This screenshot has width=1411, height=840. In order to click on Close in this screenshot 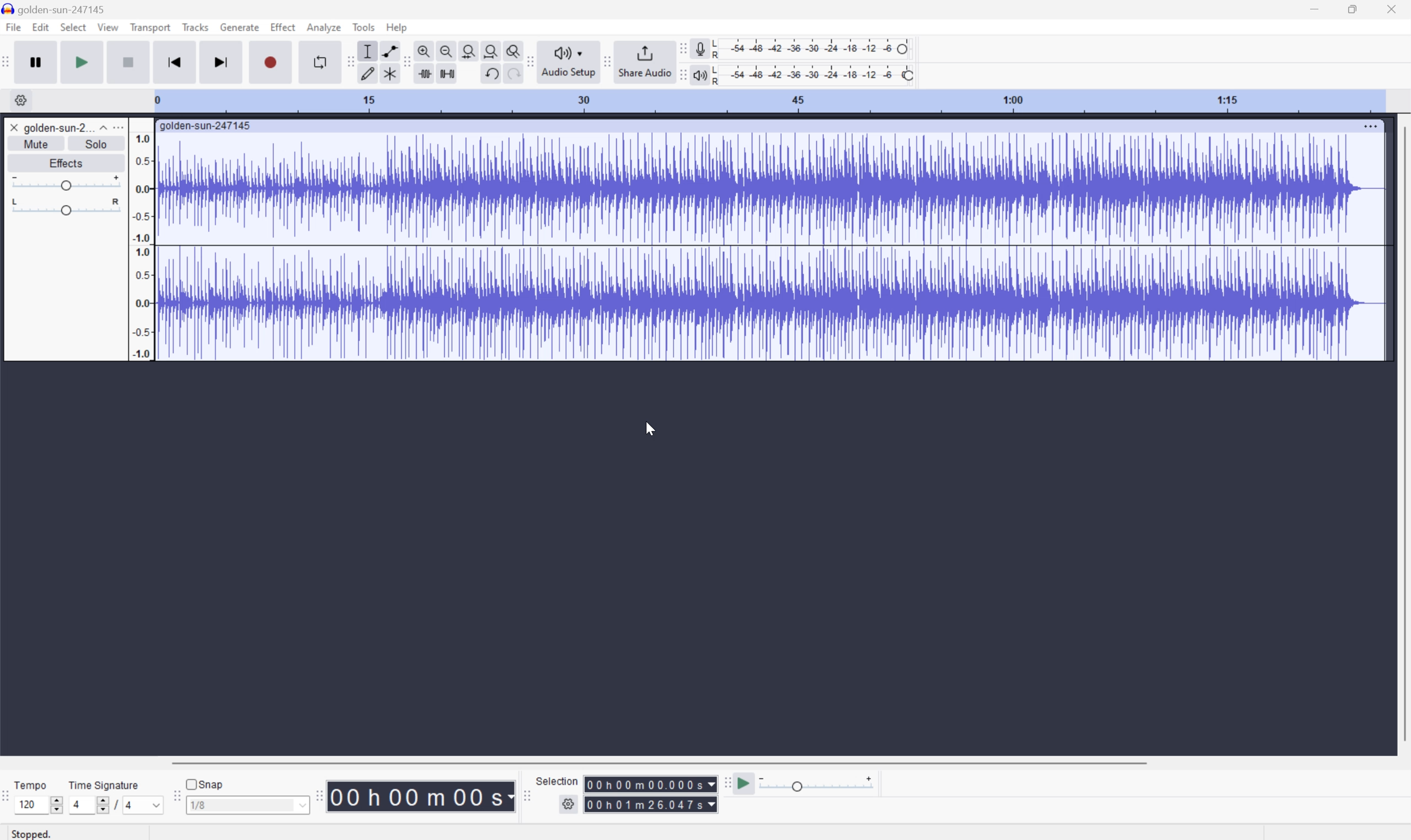, I will do `click(14, 127)`.